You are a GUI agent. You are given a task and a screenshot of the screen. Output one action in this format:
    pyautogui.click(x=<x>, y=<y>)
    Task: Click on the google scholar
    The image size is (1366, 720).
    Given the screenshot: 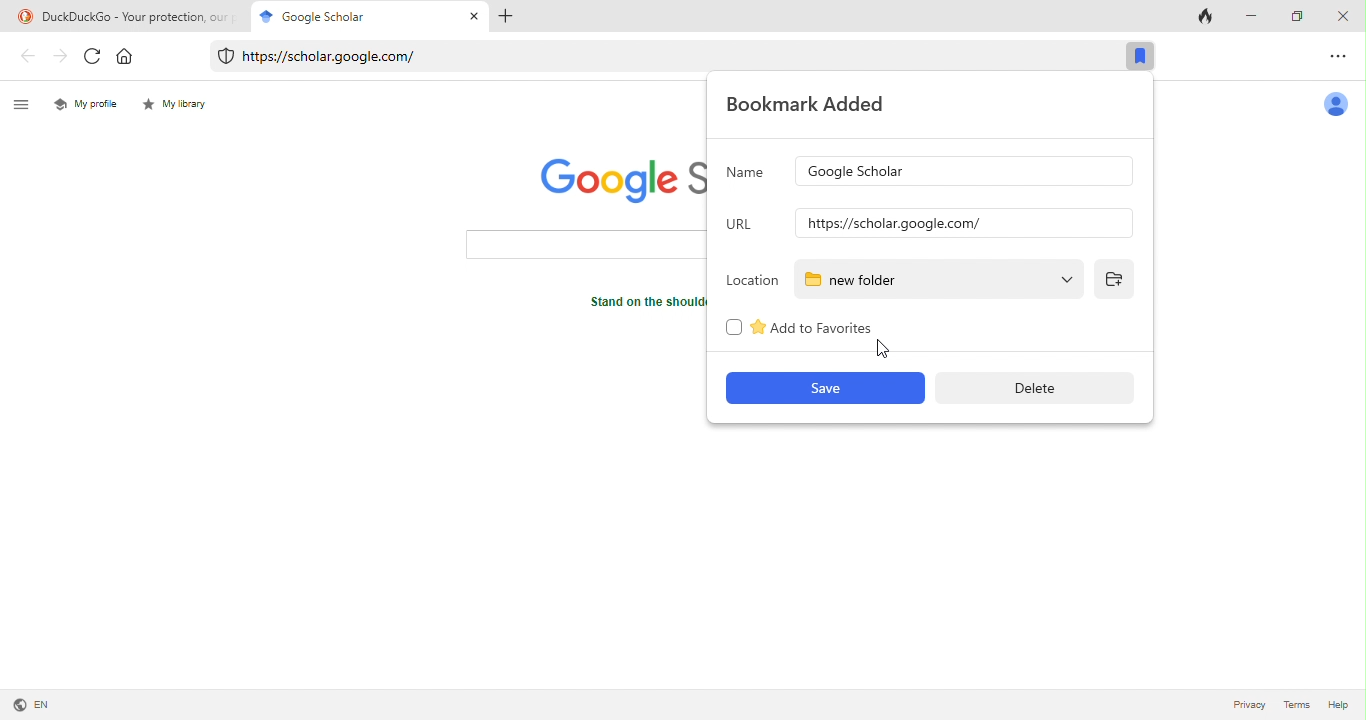 What is the action you would take?
    pyautogui.click(x=305, y=15)
    